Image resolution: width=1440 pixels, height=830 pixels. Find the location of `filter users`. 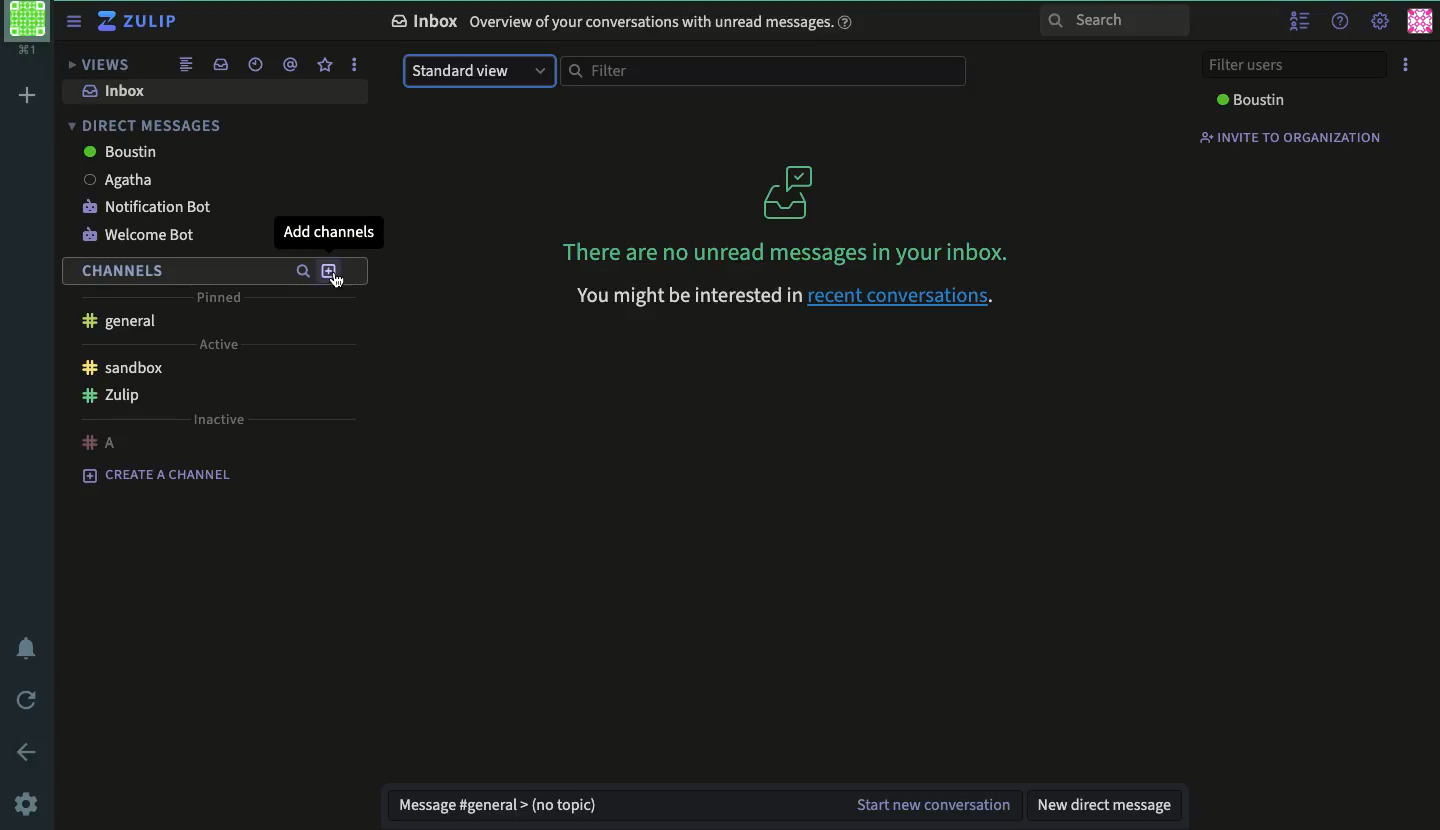

filter users is located at coordinates (1291, 65).